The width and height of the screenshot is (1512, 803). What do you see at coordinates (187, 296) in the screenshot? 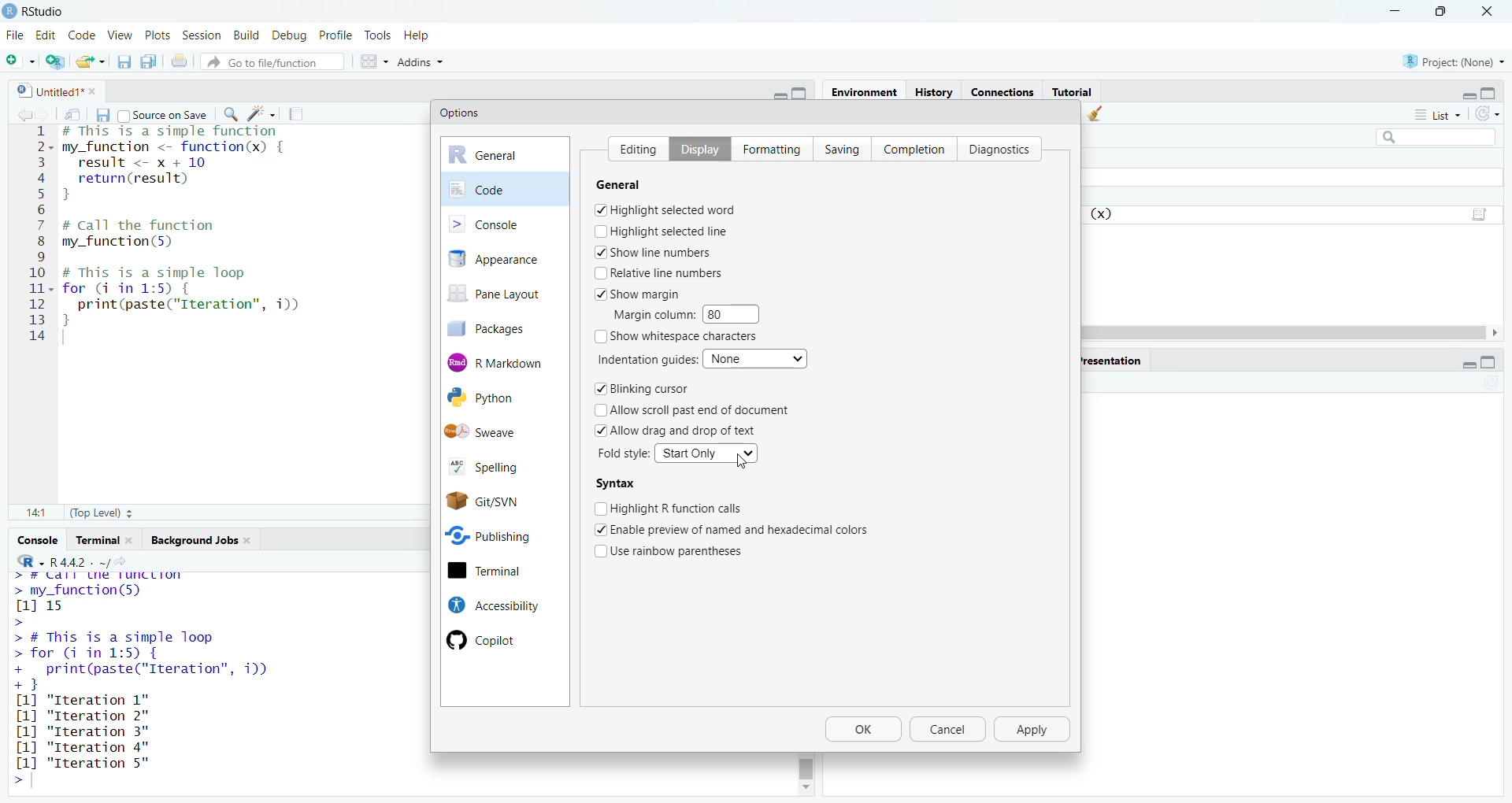
I see `code of a simple loop` at bounding box center [187, 296].